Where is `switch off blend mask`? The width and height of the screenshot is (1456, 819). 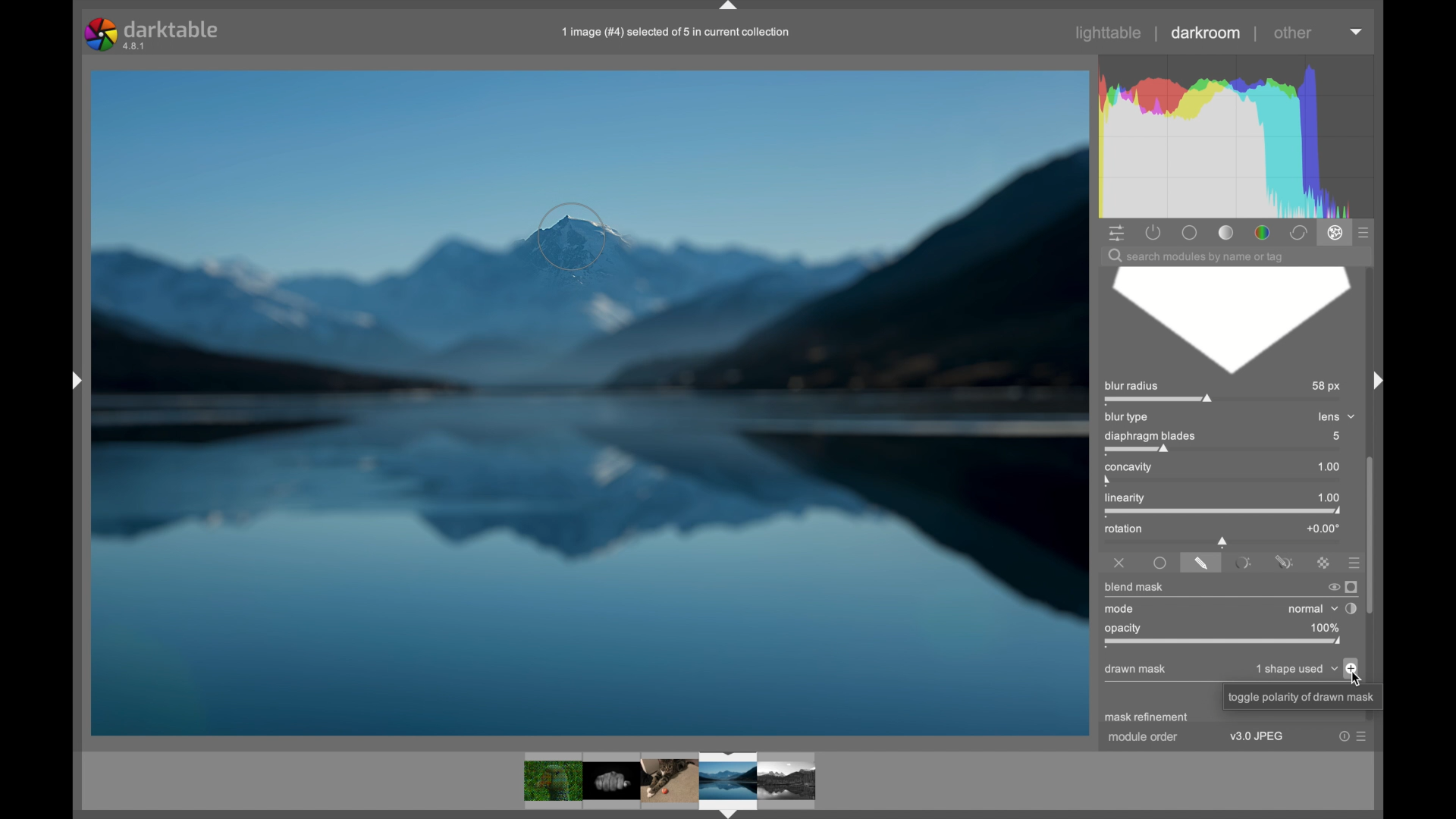
switch off blend mask is located at coordinates (1330, 587).